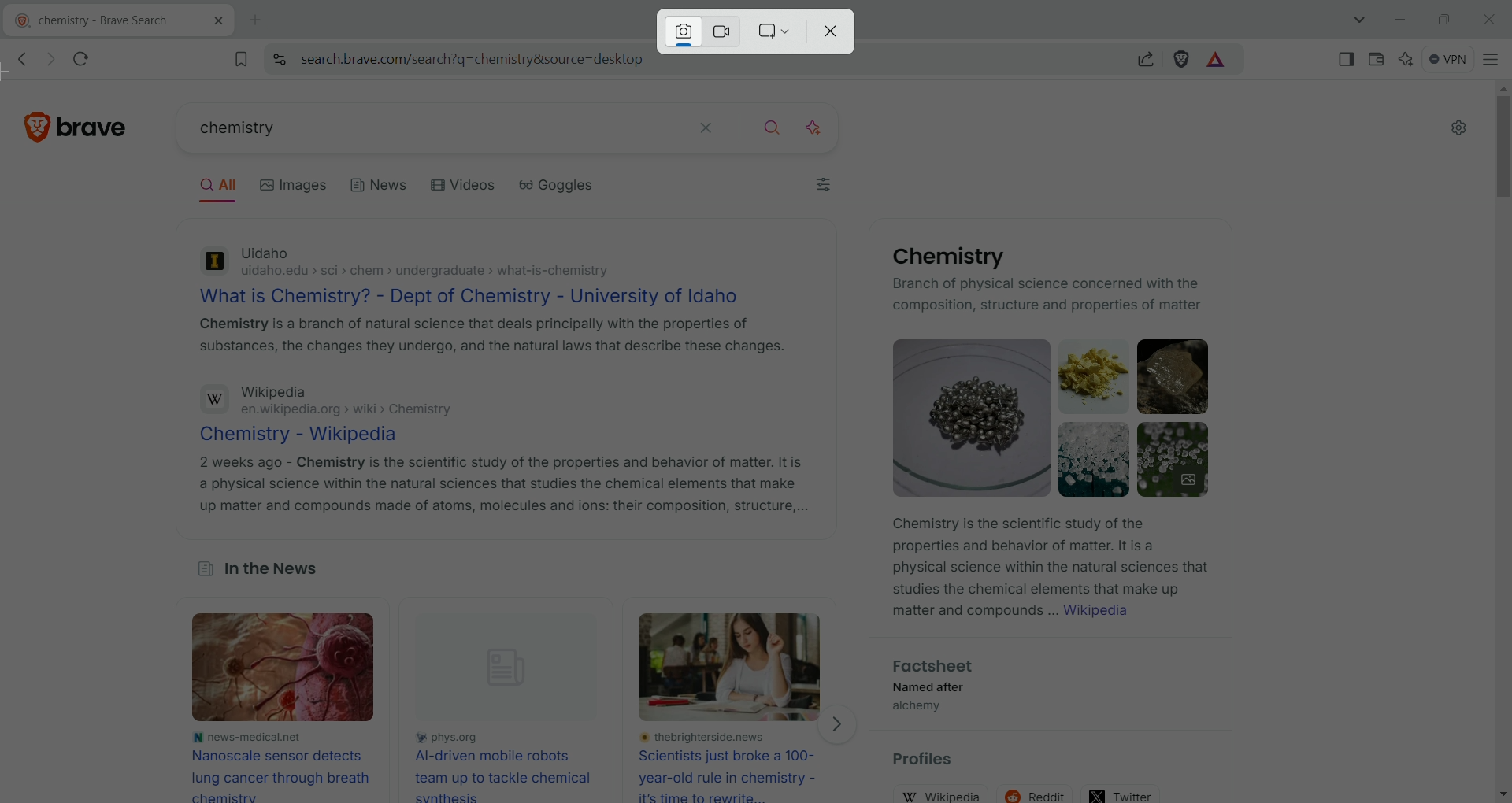 This screenshot has width=1512, height=803. I want to click on wallet, so click(1373, 57).